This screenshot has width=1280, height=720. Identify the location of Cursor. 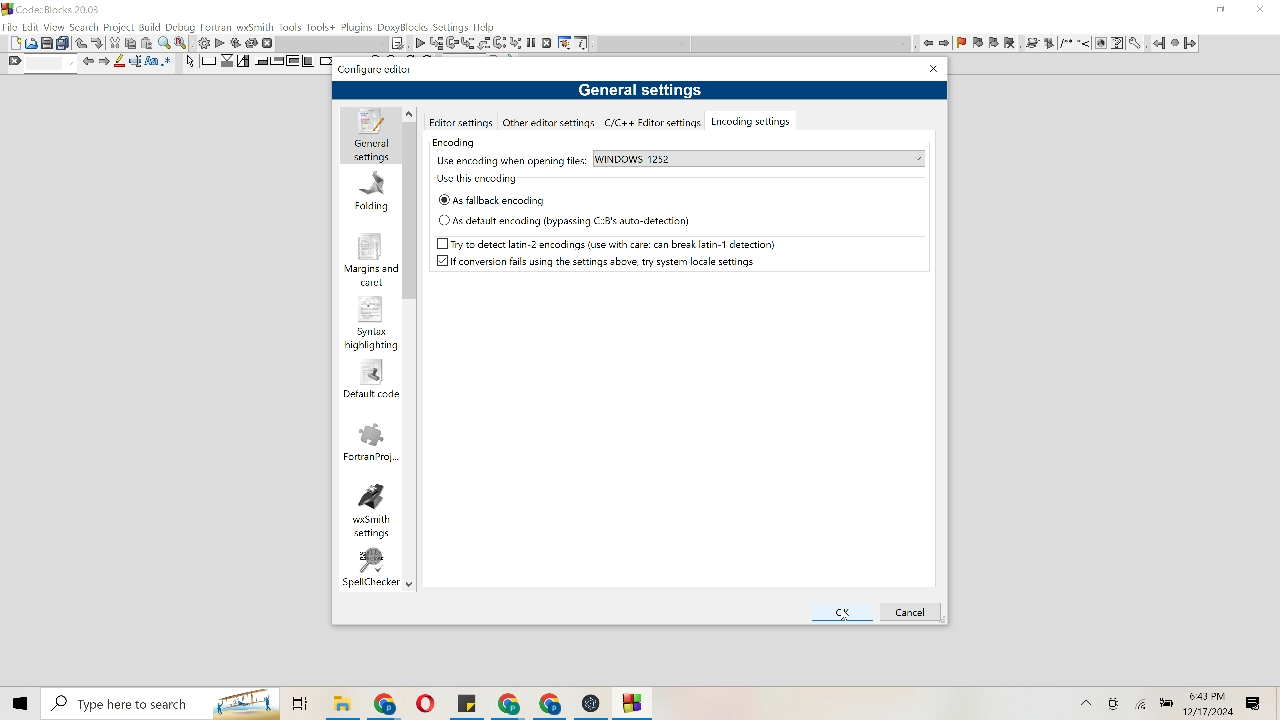
(731, 367).